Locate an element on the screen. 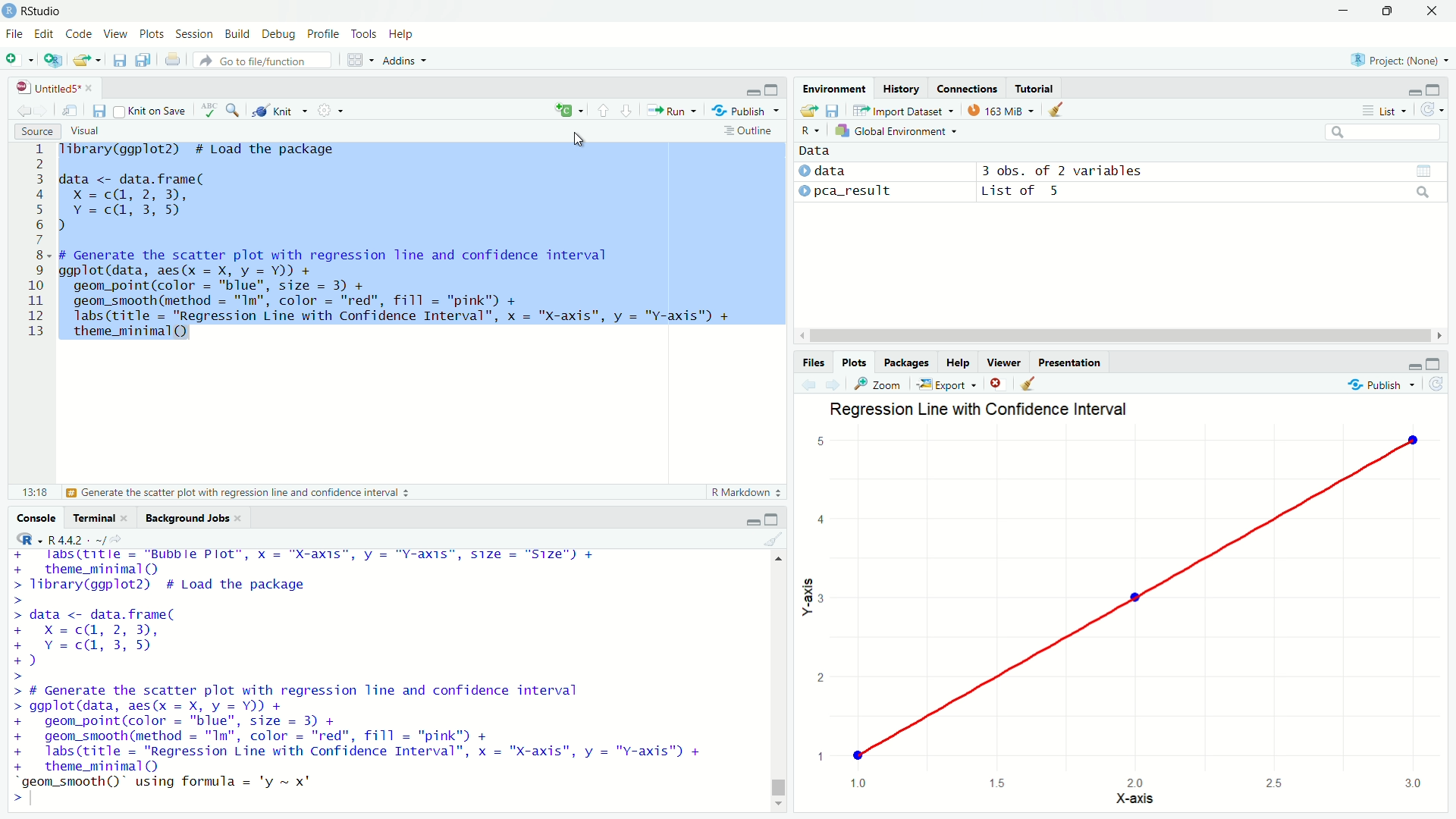  View the current working current directory is located at coordinates (115, 538).